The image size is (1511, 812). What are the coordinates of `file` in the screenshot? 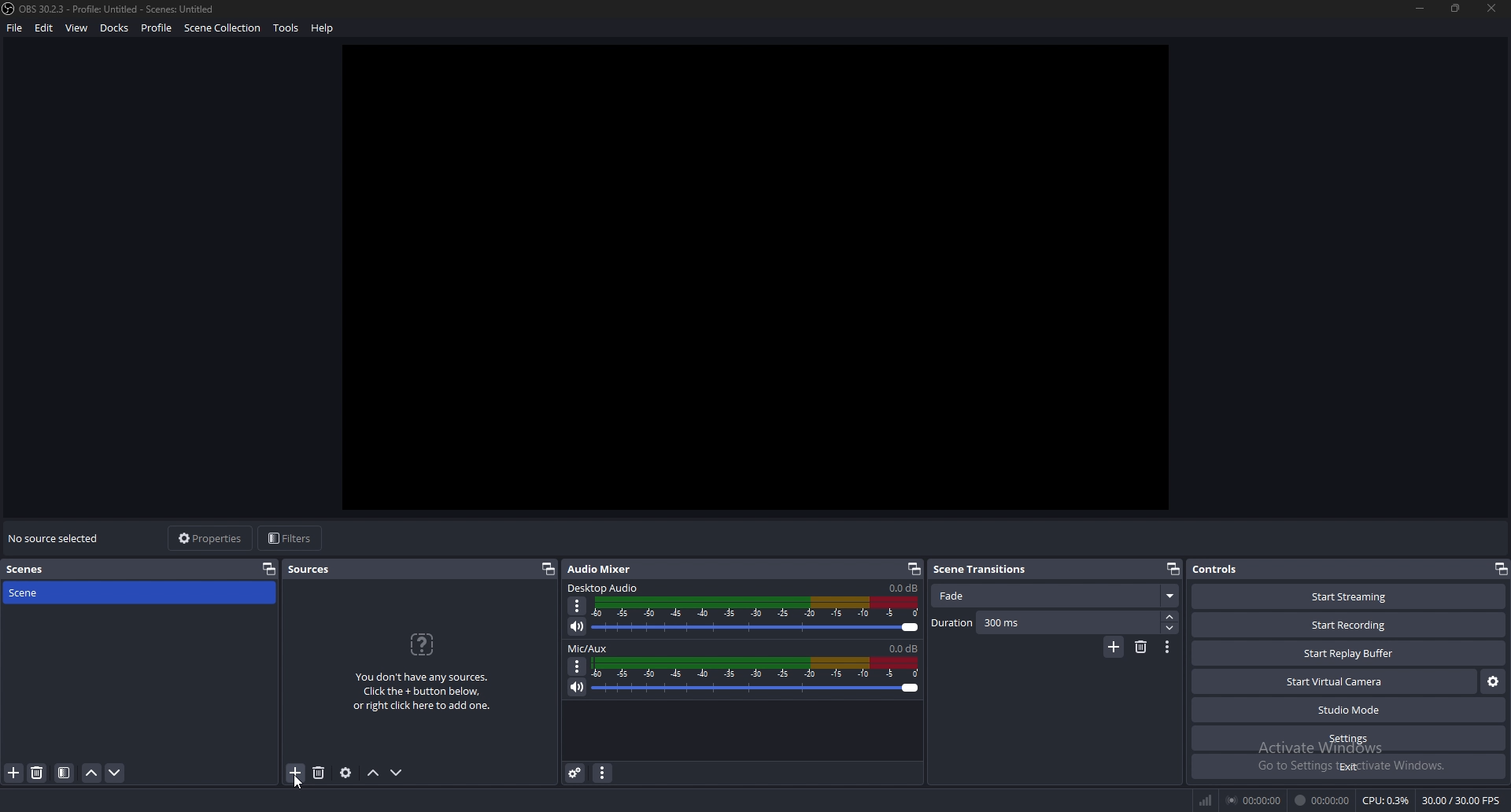 It's located at (15, 28).